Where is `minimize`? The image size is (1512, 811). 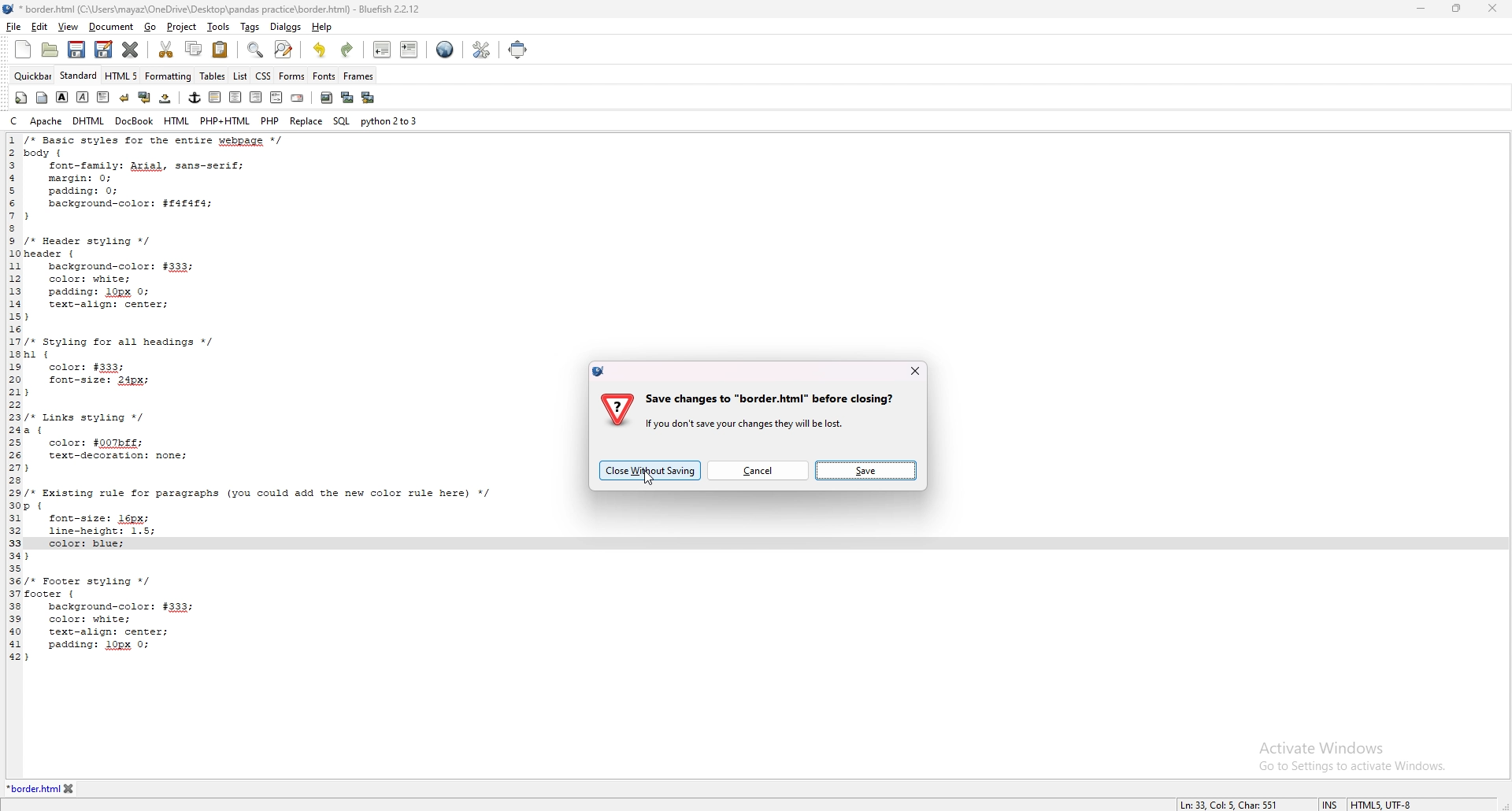
minimize is located at coordinates (1421, 10).